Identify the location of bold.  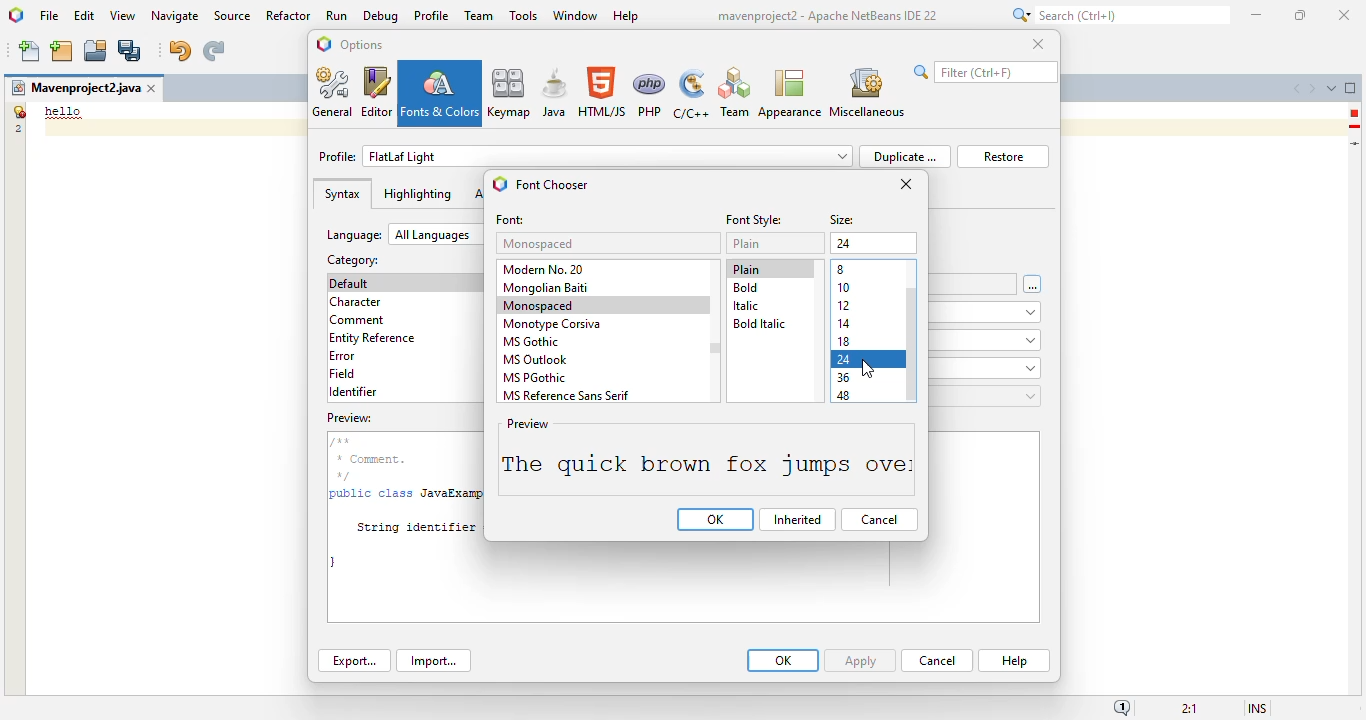
(746, 288).